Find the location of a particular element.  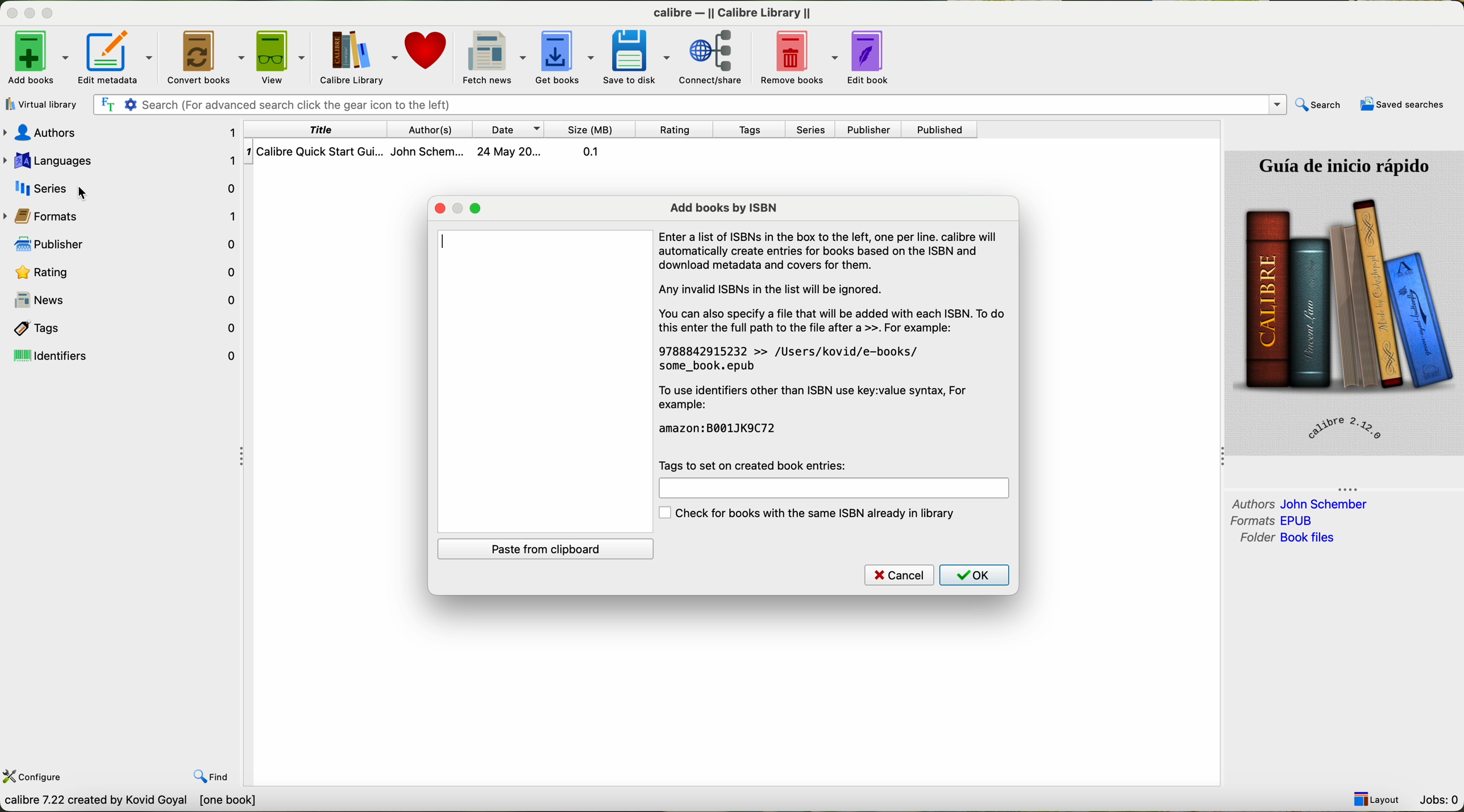

Enter a list of ISBNs in the box to the left, one per line. calibre will
automatically create entries for books based on the ISBN and
download metadata and covers for them.

Any invalid ISBNs in the list will be ignored.

You can also specify a file that will be added with each ISBN. To do
this enter the full path to the file after a >>. For example:
9788842915232 >> /Users/kovid/e-books/
some_book.epub

To use identifiers other than ISBN use key:value syntax, For
example:

amazon:B001JK9C72 is located at coordinates (839, 336).